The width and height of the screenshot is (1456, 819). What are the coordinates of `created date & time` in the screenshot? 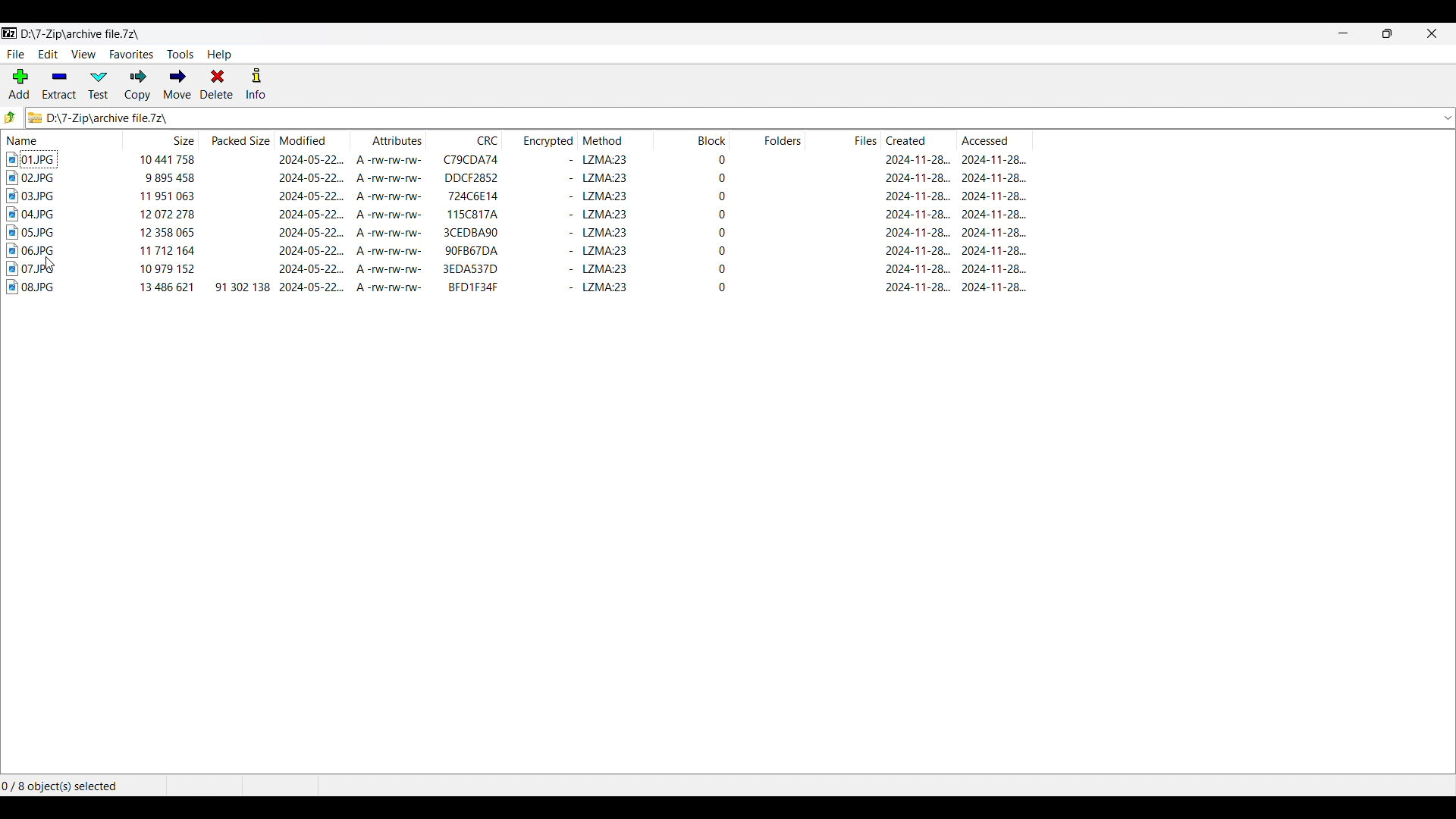 It's located at (918, 251).